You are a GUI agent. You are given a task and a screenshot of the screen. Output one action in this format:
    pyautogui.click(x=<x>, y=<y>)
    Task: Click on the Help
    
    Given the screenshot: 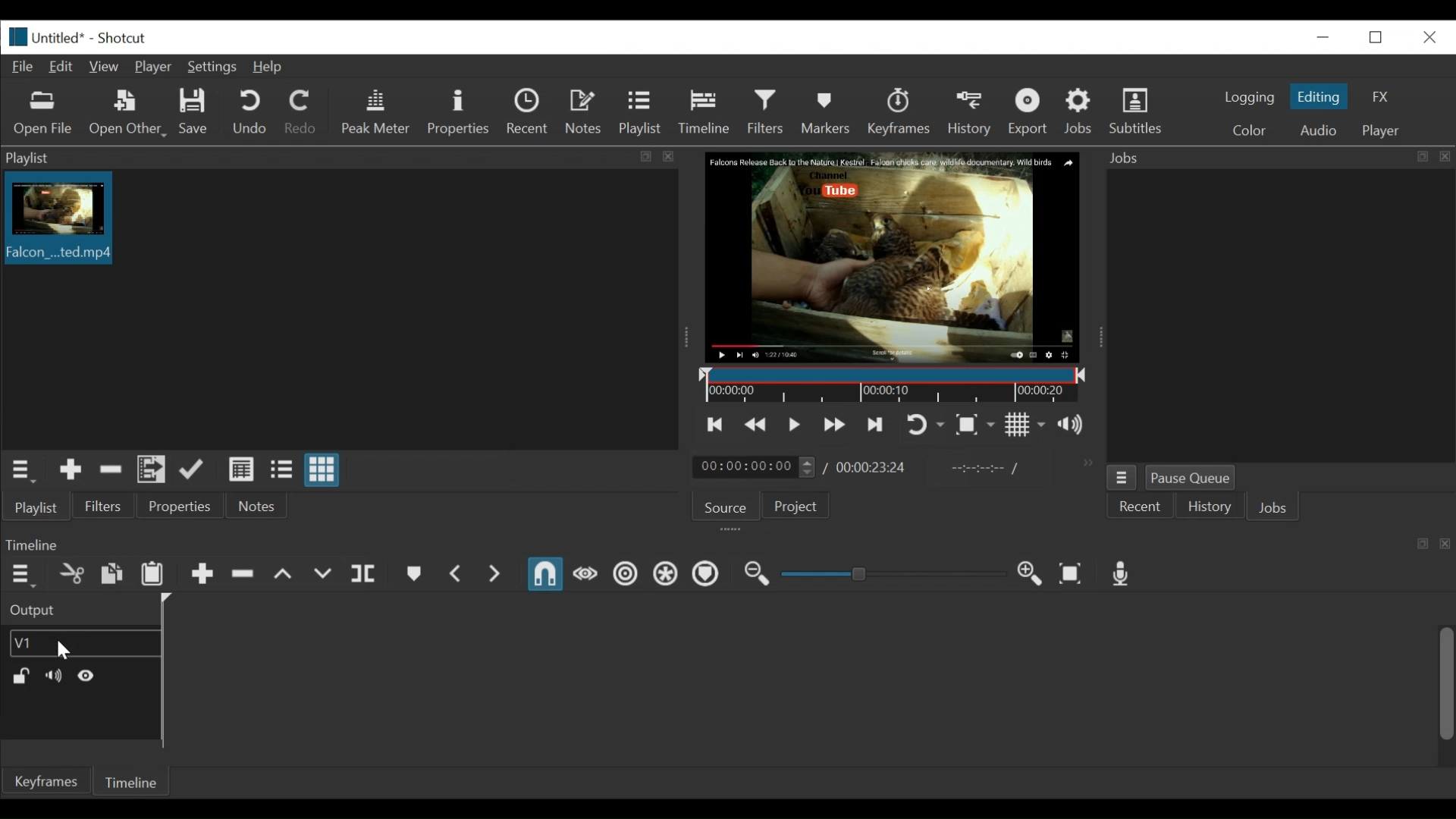 What is the action you would take?
    pyautogui.click(x=268, y=66)
    